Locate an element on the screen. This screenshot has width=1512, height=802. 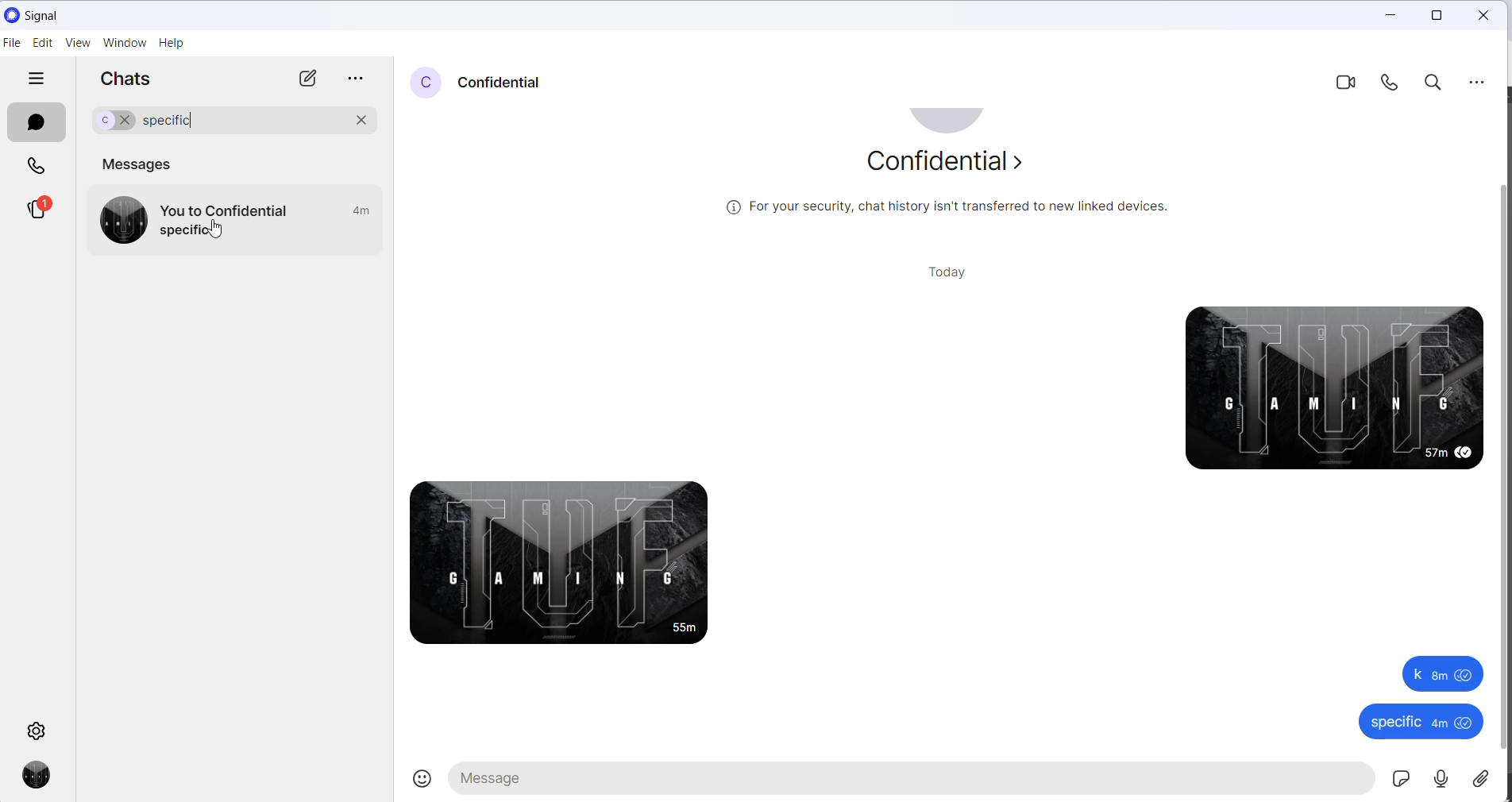
selected chat for search is located at coordinates (108, 121).